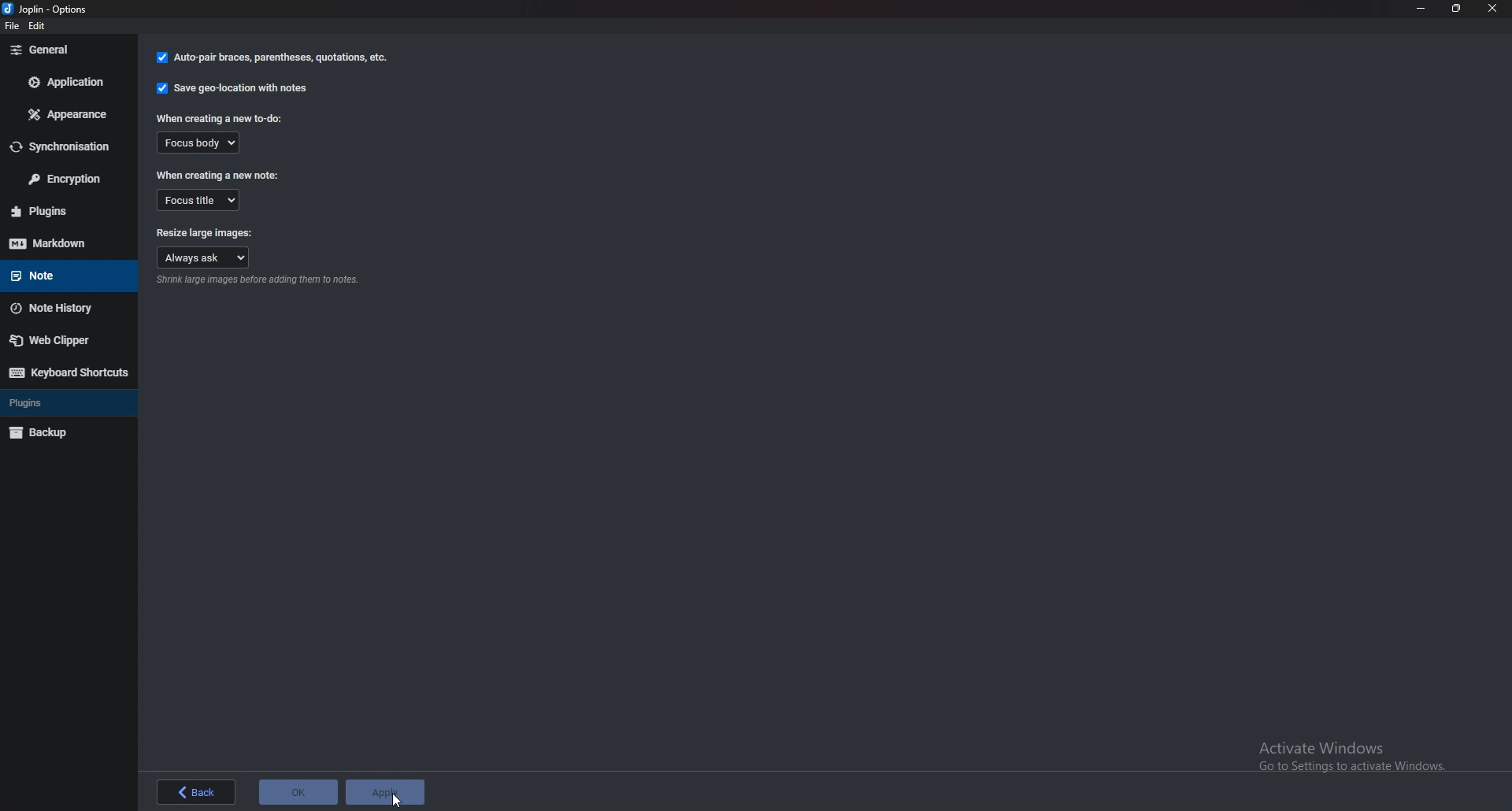 The image size is (1512, 811). I want to click on edit, so click(40, 28).